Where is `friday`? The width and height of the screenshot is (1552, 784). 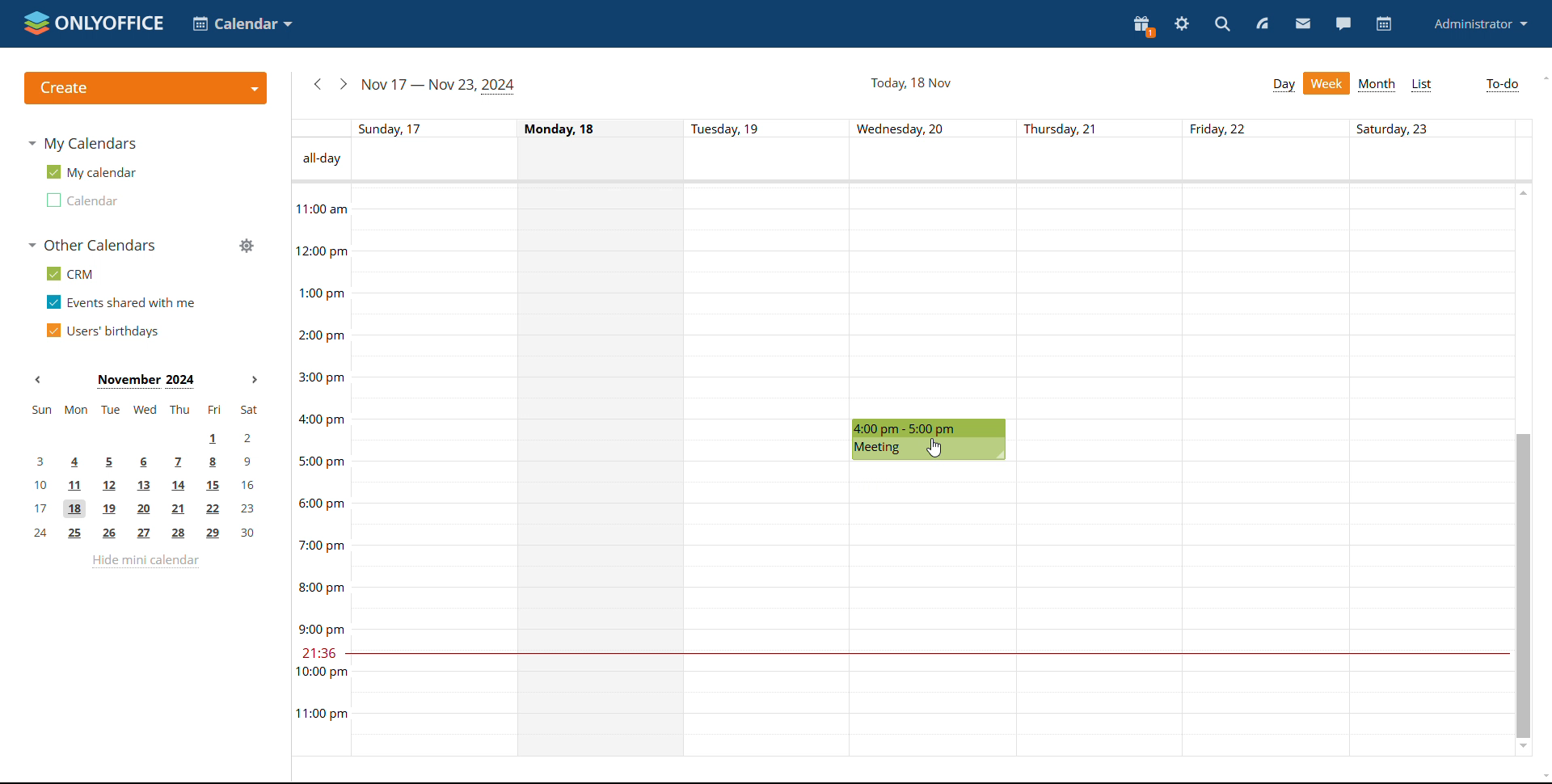
friday is located at coordinates (1267, 470).